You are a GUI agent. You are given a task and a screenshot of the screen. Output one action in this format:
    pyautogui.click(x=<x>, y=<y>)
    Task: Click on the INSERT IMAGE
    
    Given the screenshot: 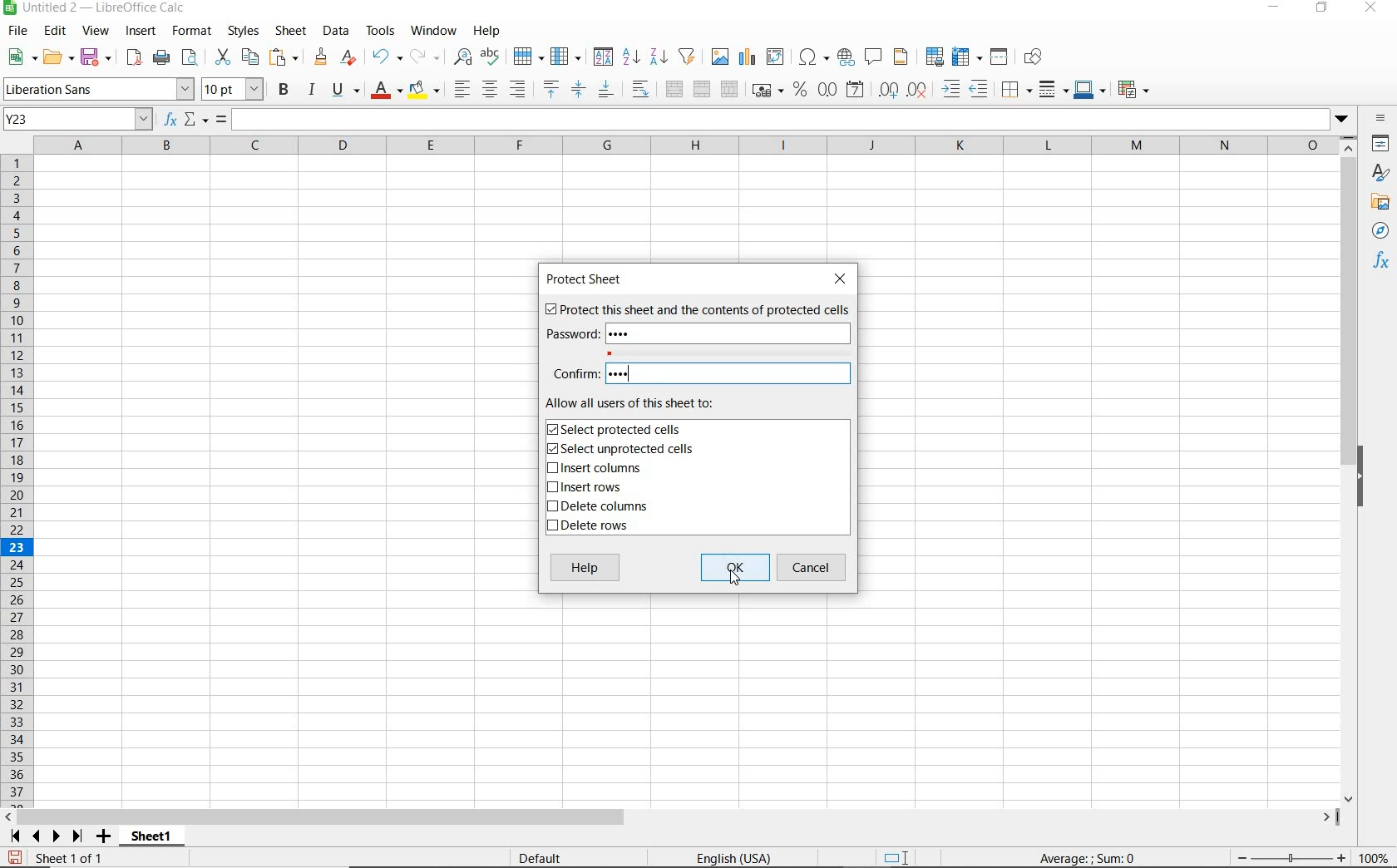 What is the action you would take?
    pyautogui.click(x=720, y=56)
    